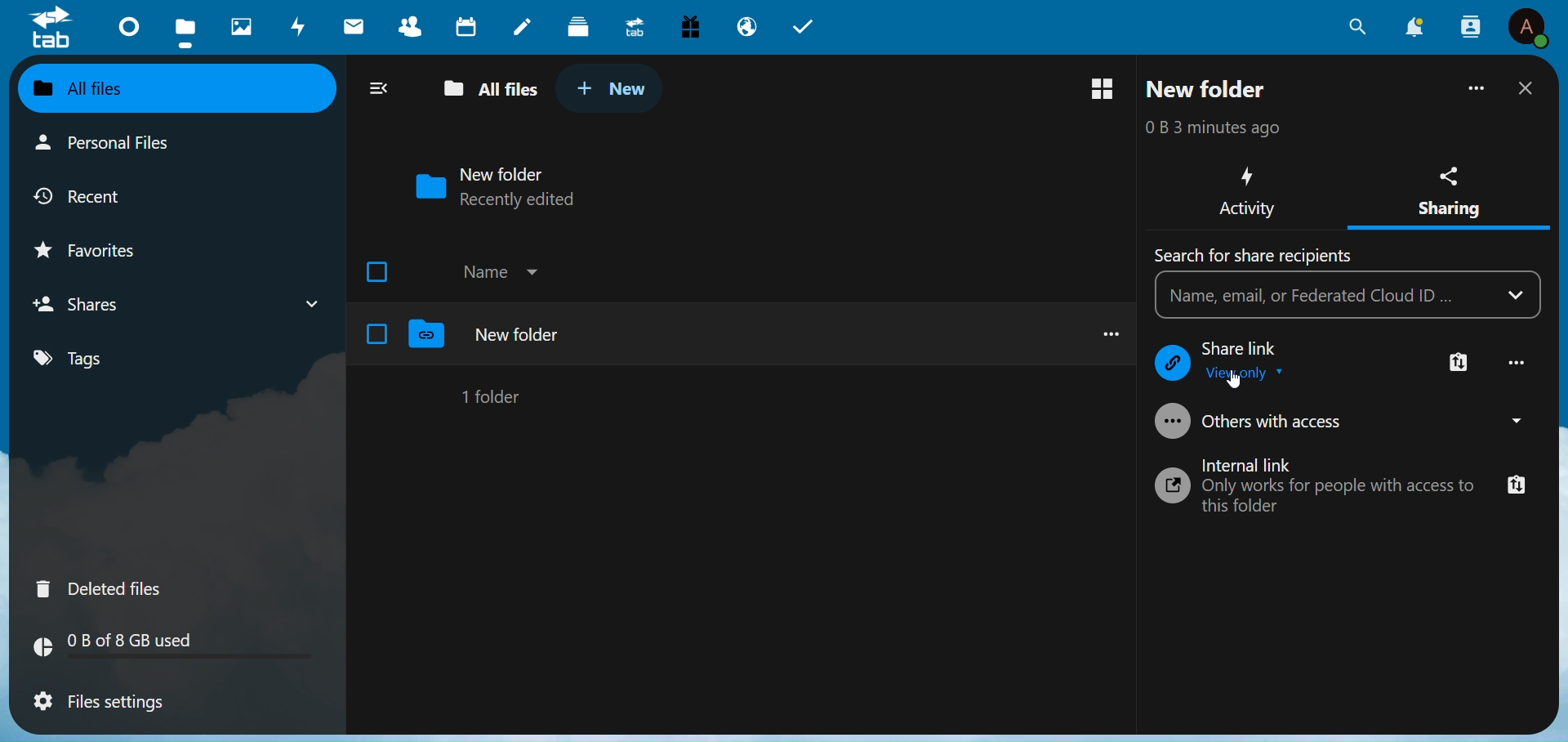 The width and height of the screenshot is (1568, 742). I want to click on cursor, so click(1240, 381).